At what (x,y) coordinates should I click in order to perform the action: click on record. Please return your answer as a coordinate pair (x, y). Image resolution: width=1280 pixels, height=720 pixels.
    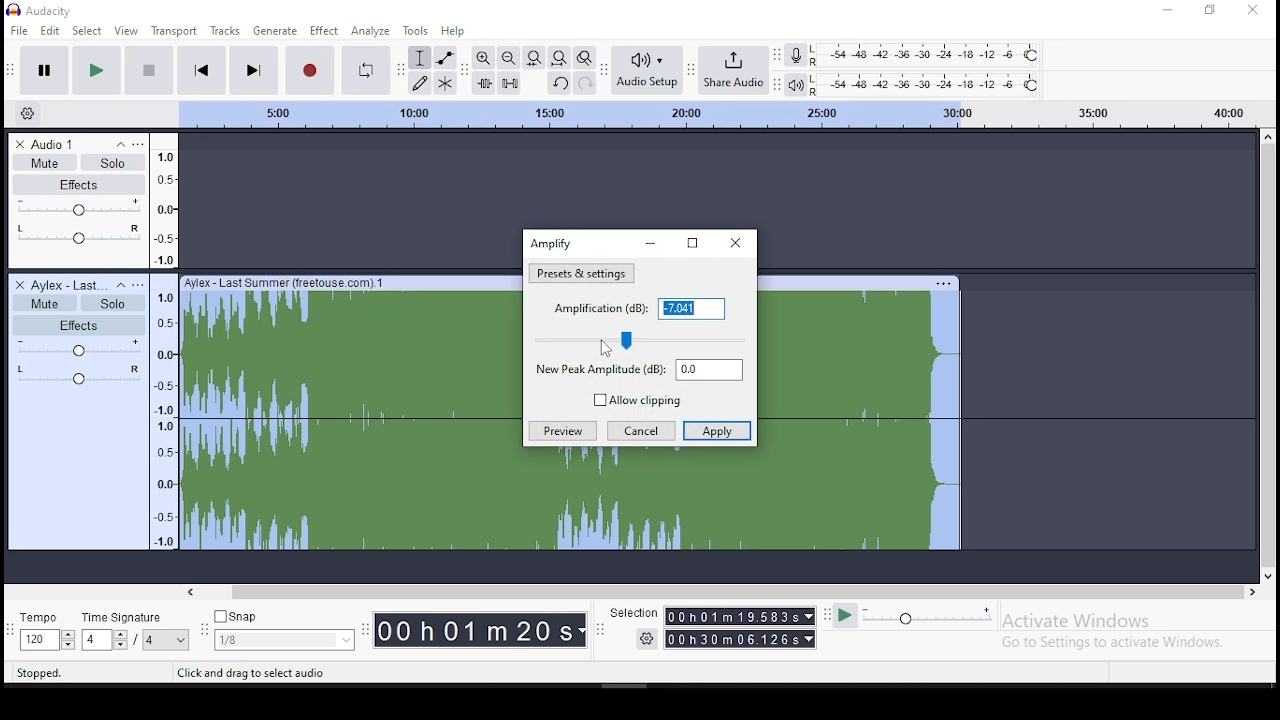
    Looking at the image, I should click on (308, 69).